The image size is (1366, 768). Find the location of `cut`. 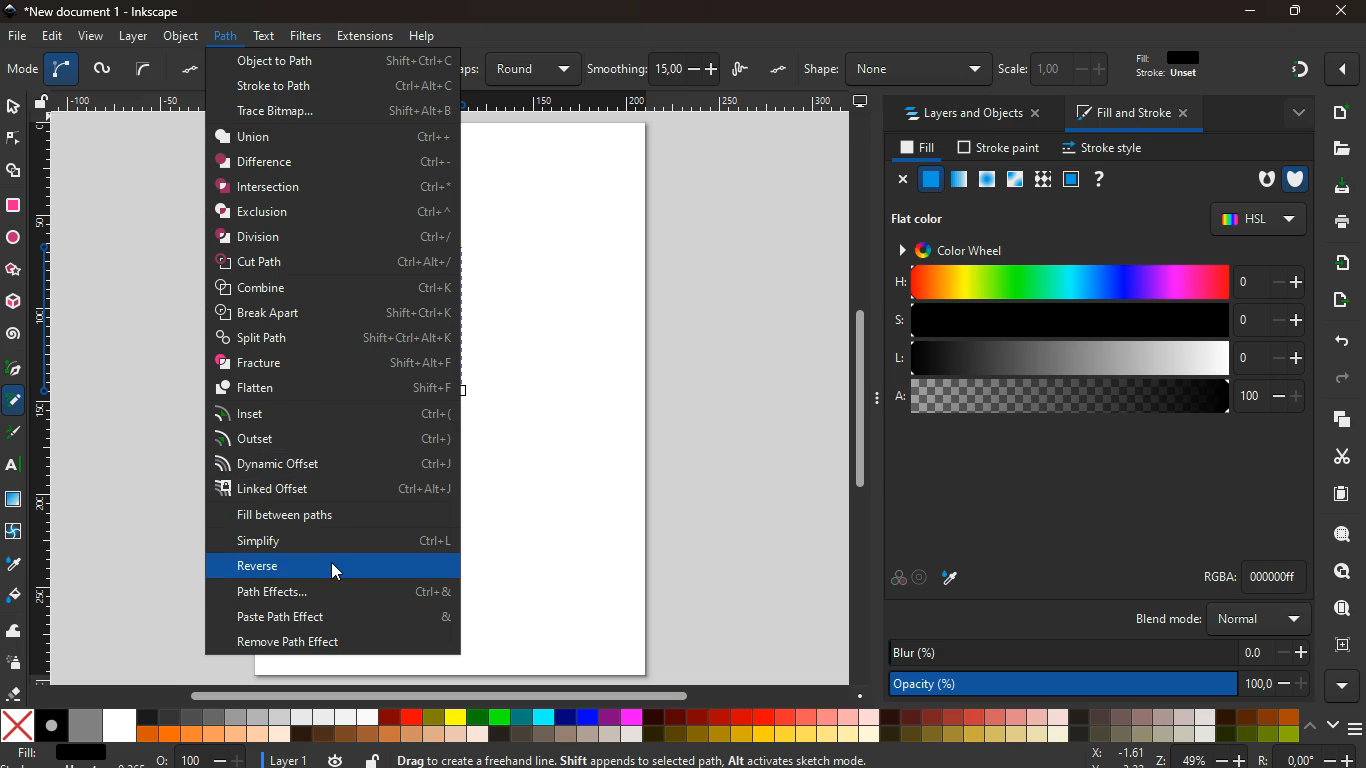

cut is located at coordinates (1336, 456).